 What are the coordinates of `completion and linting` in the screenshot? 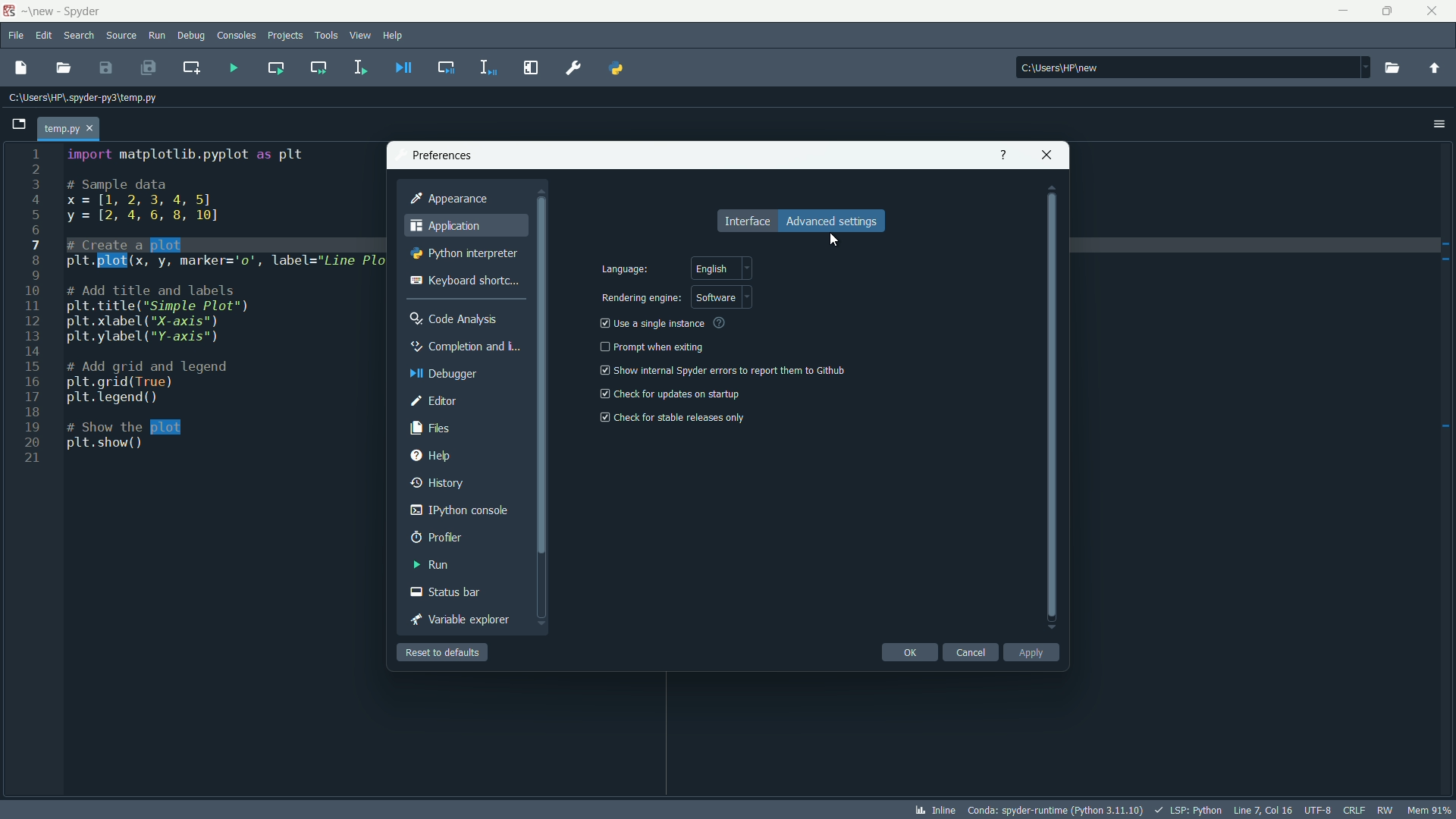 It's located at (464, 347).